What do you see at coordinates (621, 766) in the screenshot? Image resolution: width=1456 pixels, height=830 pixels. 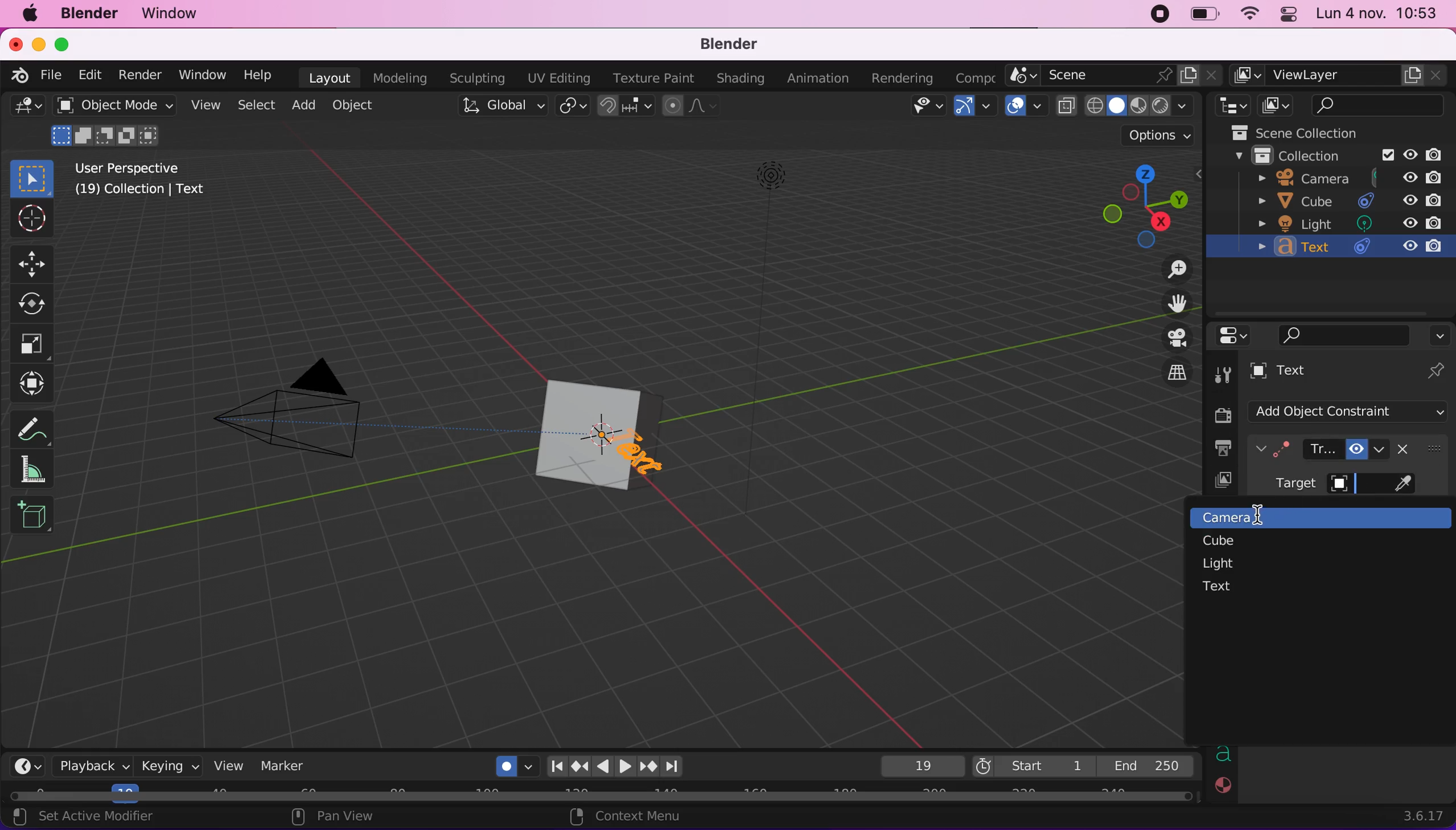 I see `reproduction bar` at bounding box center [621, 766].